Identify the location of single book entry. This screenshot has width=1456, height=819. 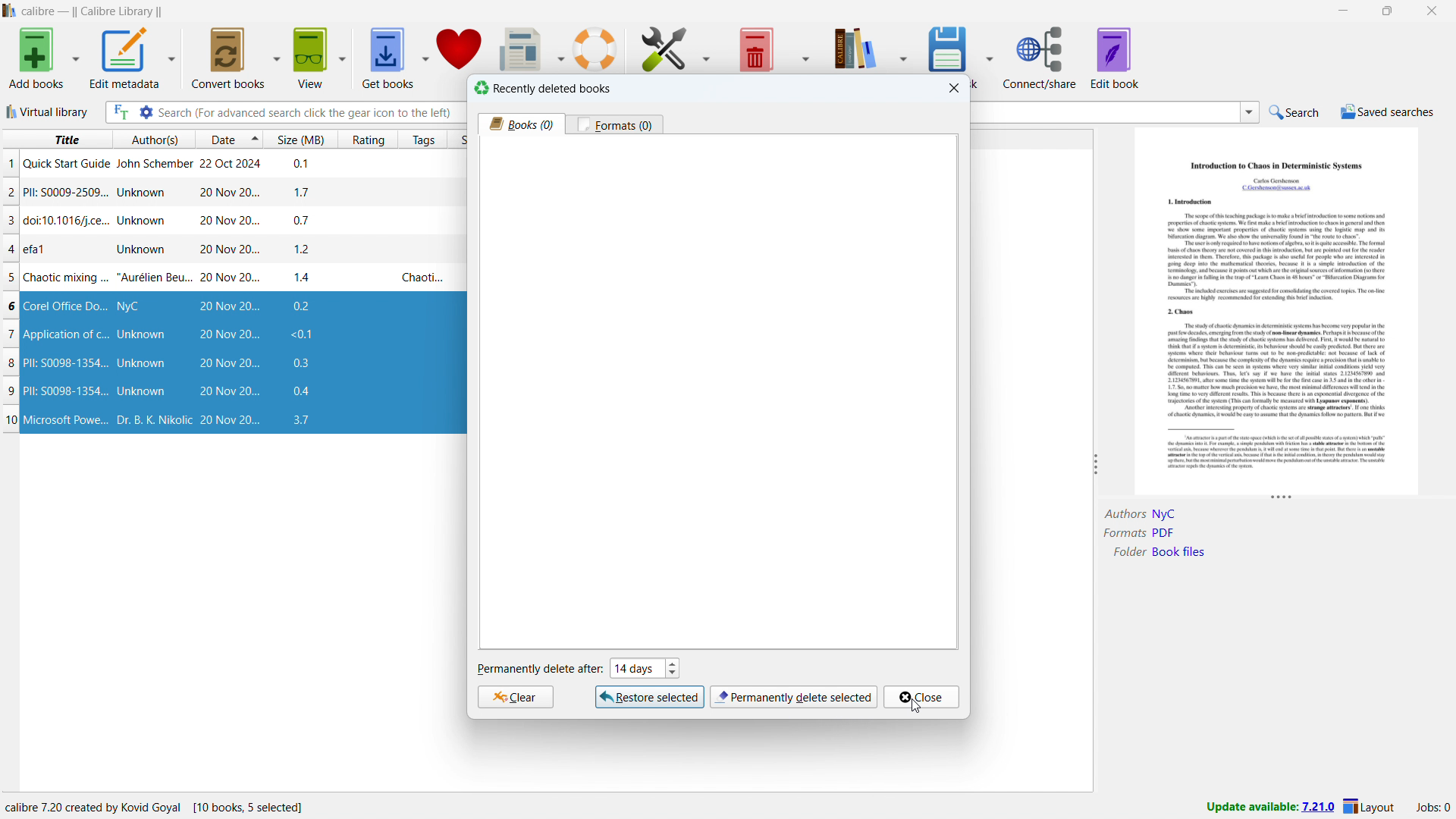
(227, 193).